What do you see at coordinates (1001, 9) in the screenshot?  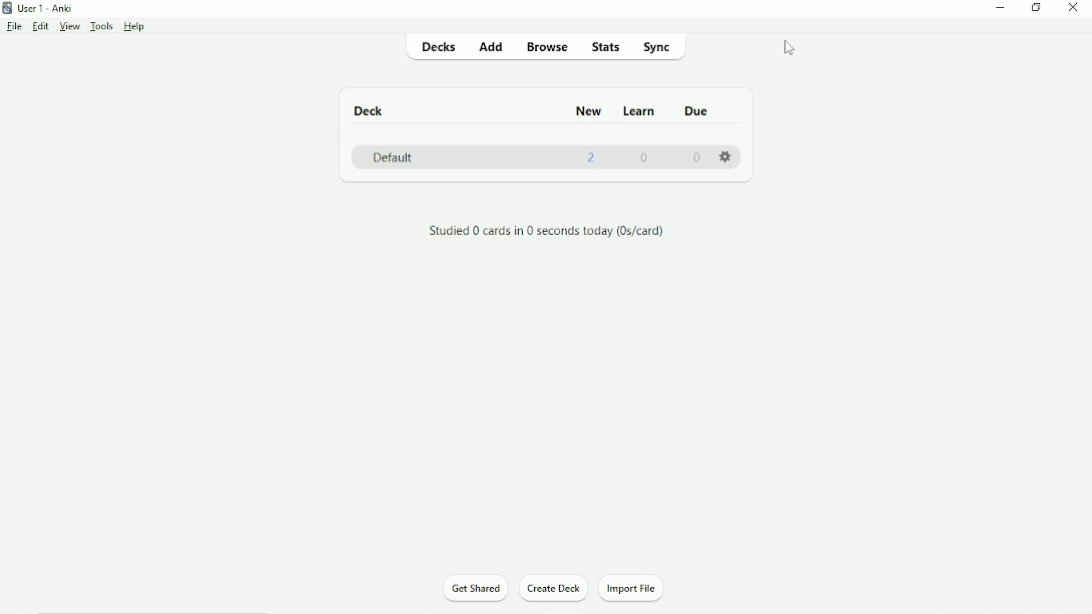 I see `Minimize` at bounding box center [1001, 9].